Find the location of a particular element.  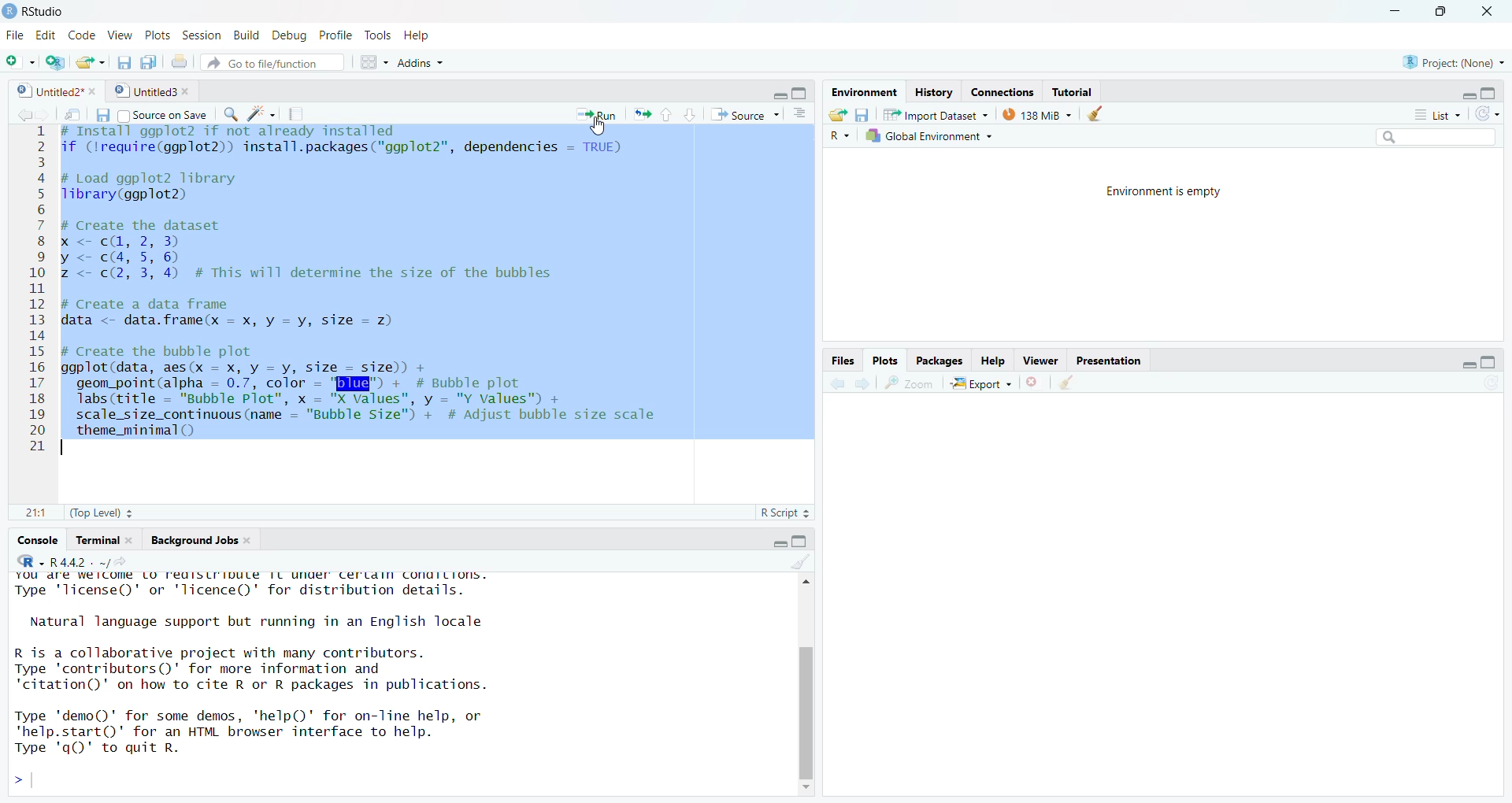

= List  is located at coordinates (1429, 113).